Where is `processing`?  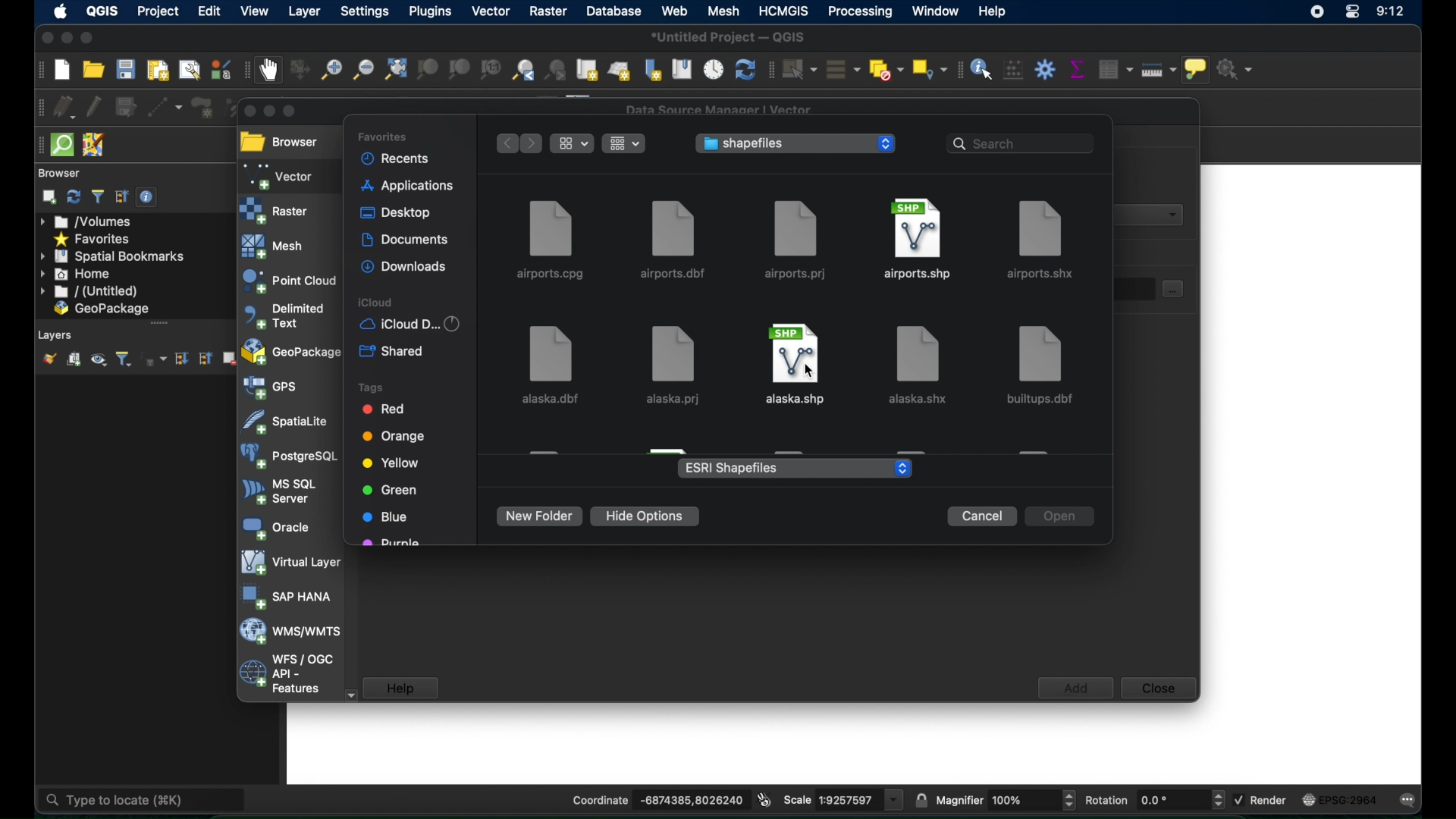
processing is located at coordinates (862, 13).